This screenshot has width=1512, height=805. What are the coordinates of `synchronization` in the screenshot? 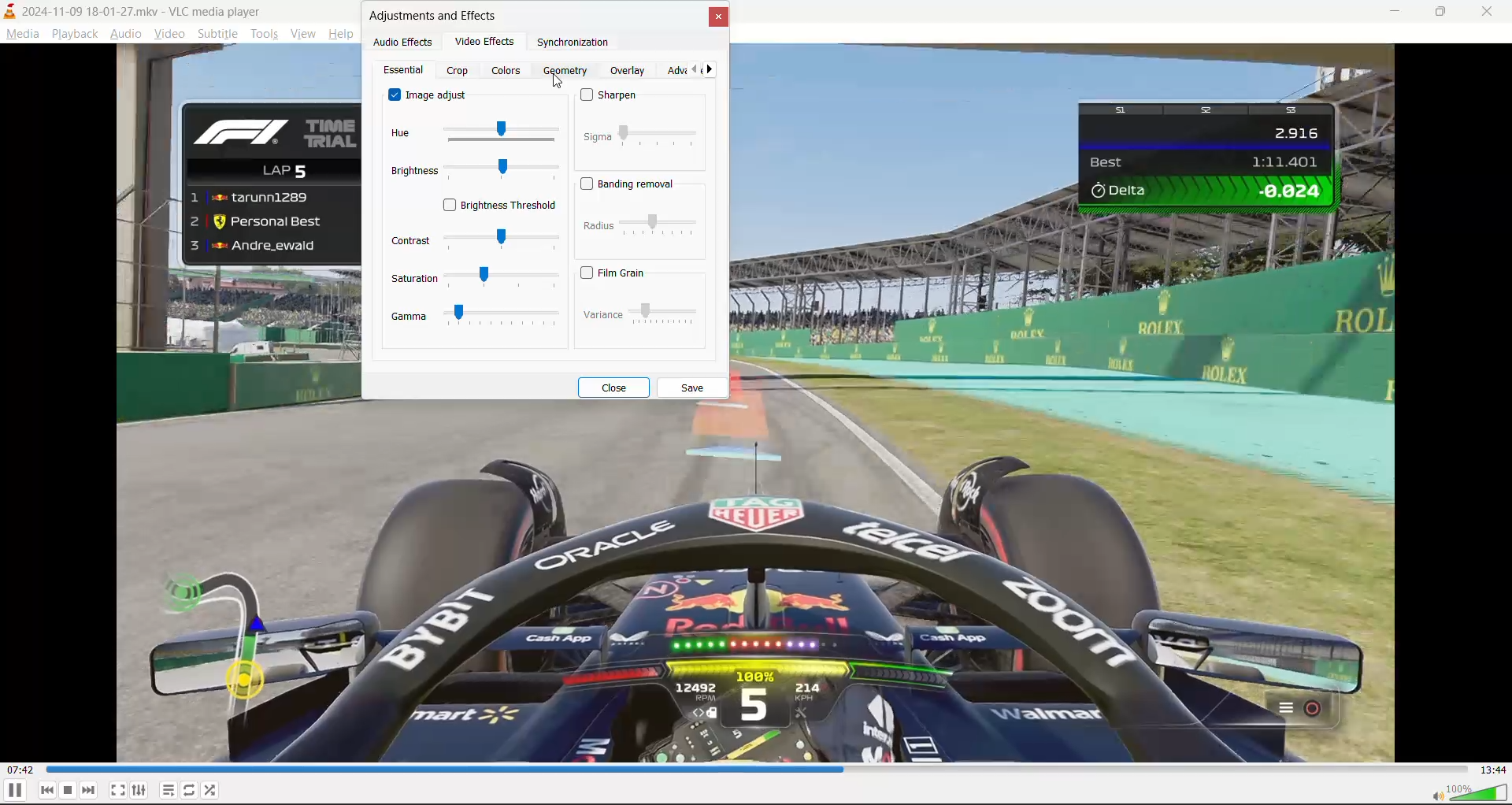 It's located at (576, 43).